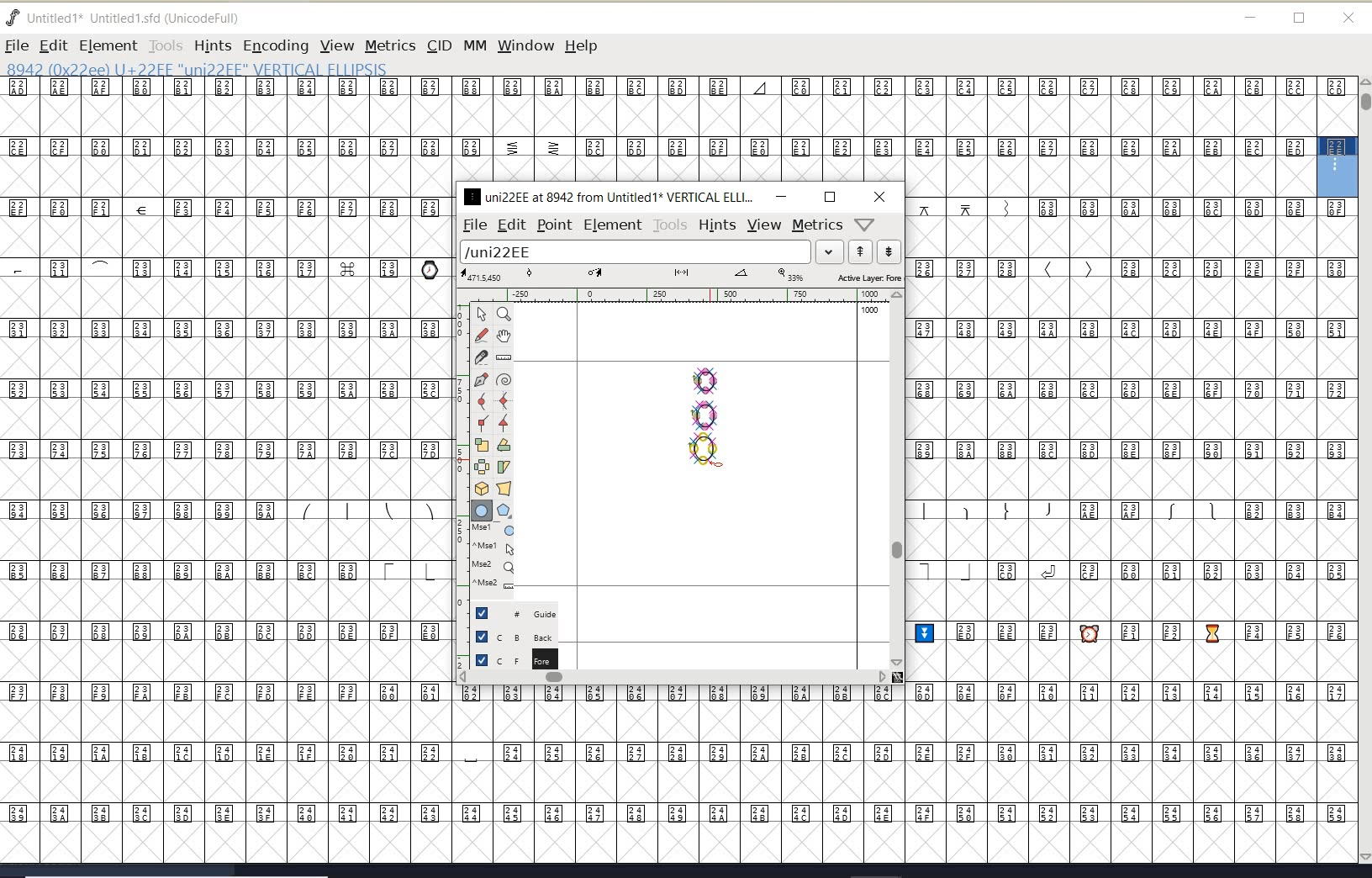 The height and width of the screenshot is (878, 1372). Describe the element at coordinates (671, 225) in the screenshot. I see `tools` at that location.